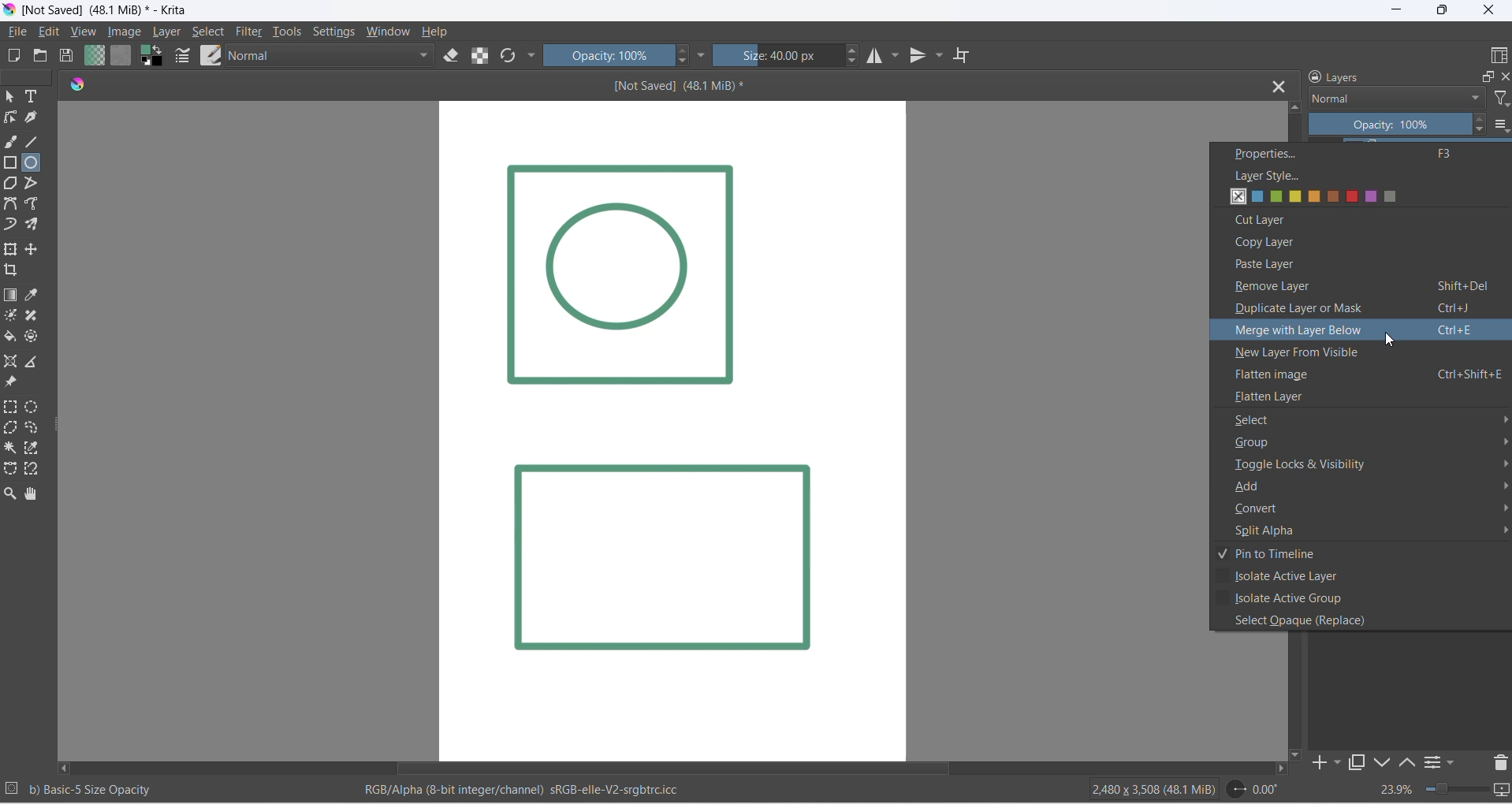 Image resolution: width=1512 pixels, height=804 pixels. Describe the element at coordinates (11, 296) in the screenshot. I see `draw gradient` at that location.